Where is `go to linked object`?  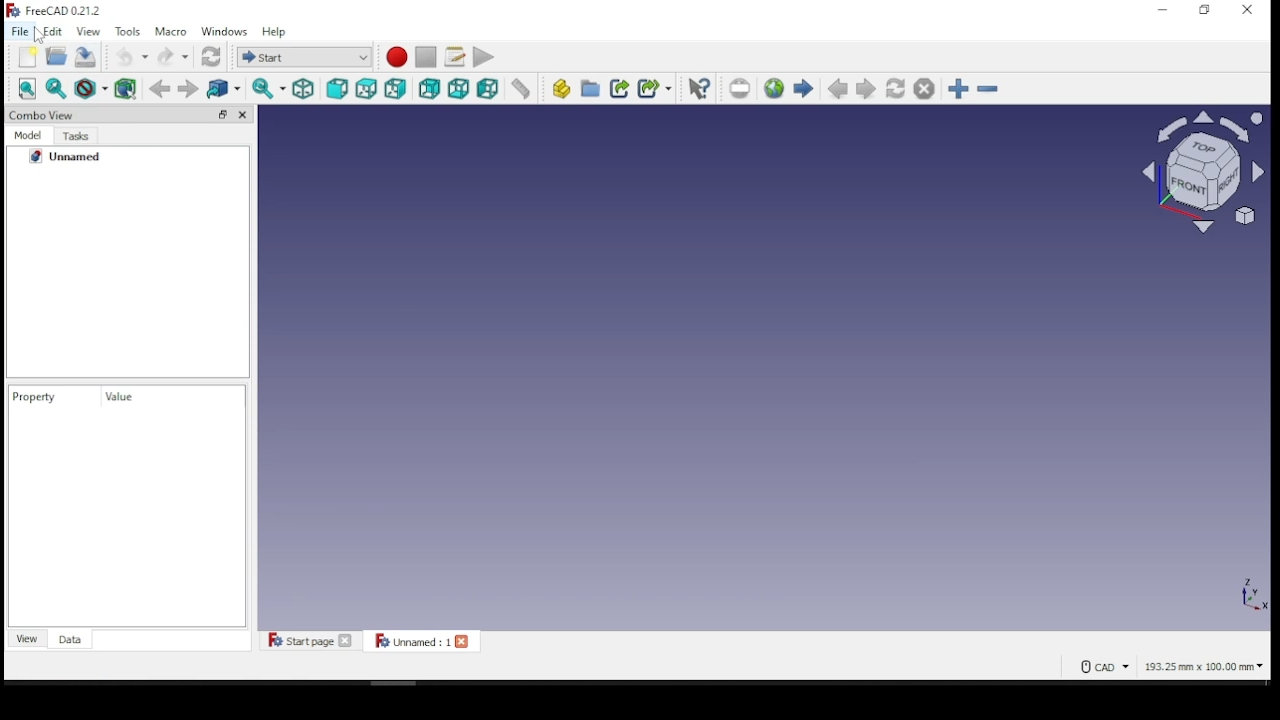 go to linked object is located at coordinates (224, 88).